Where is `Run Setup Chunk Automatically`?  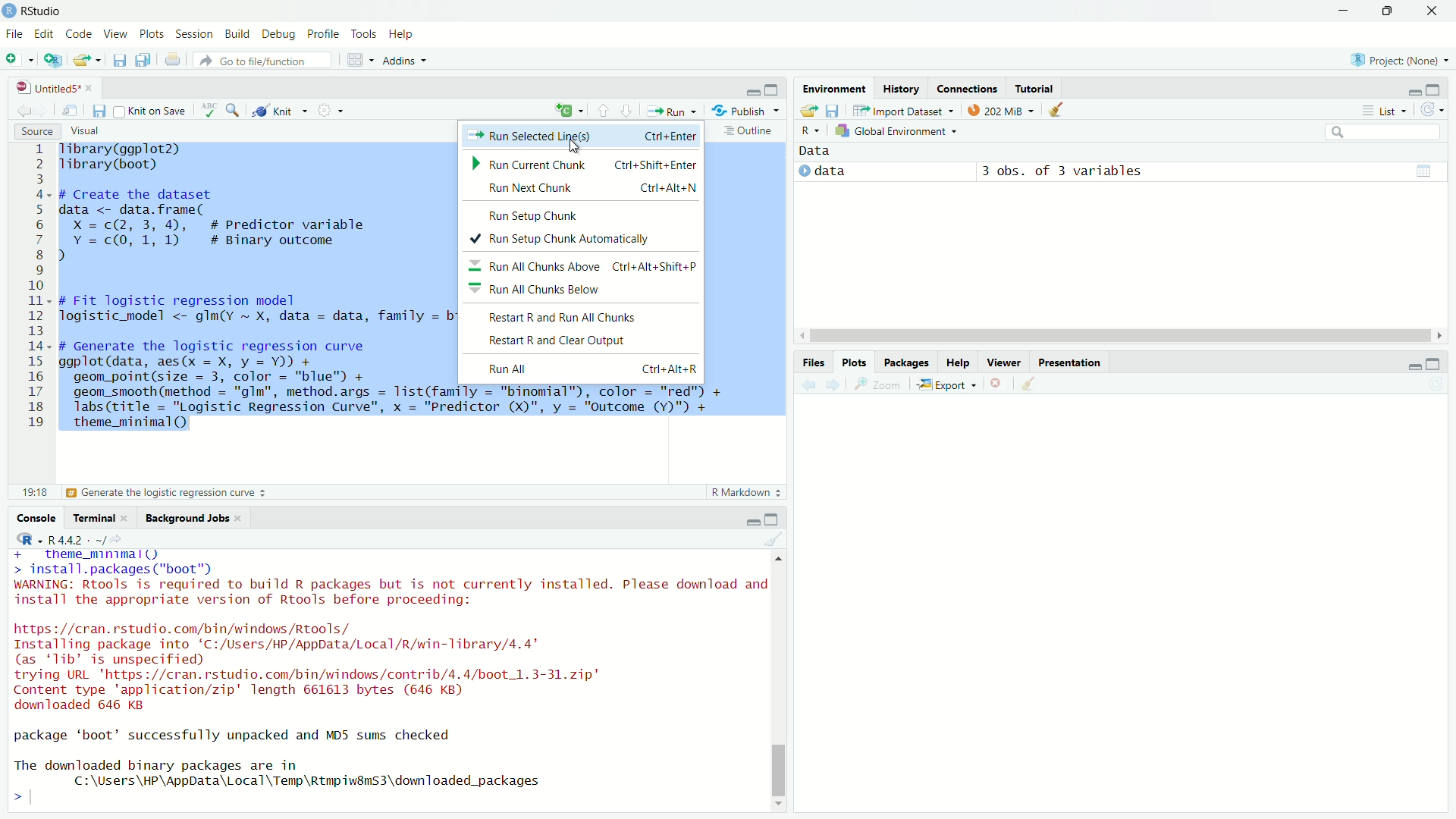
Run Setup Chunk Automatically is located at coordinates (582, 240).